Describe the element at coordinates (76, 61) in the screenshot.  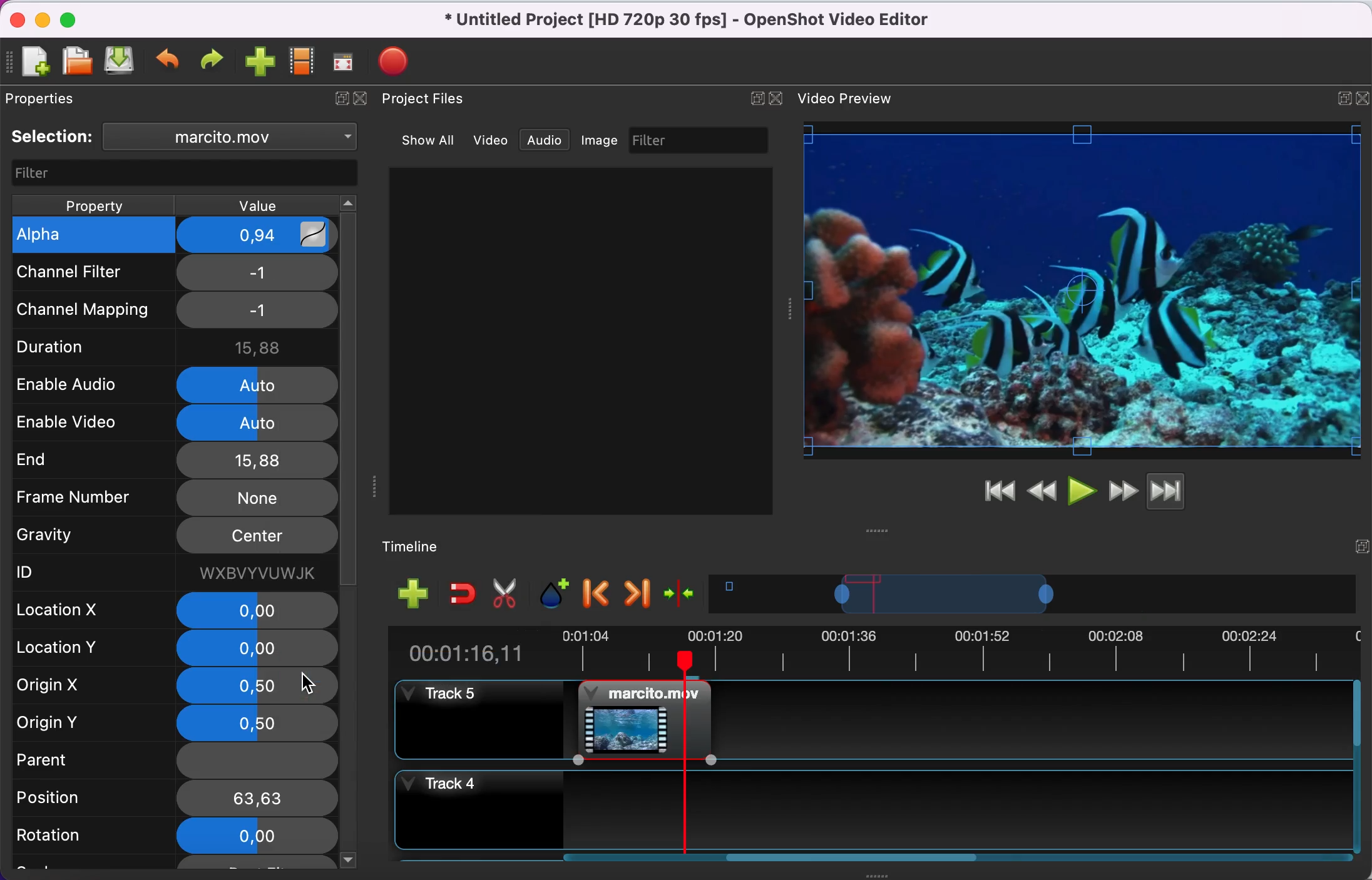
I see `open file` at that location.